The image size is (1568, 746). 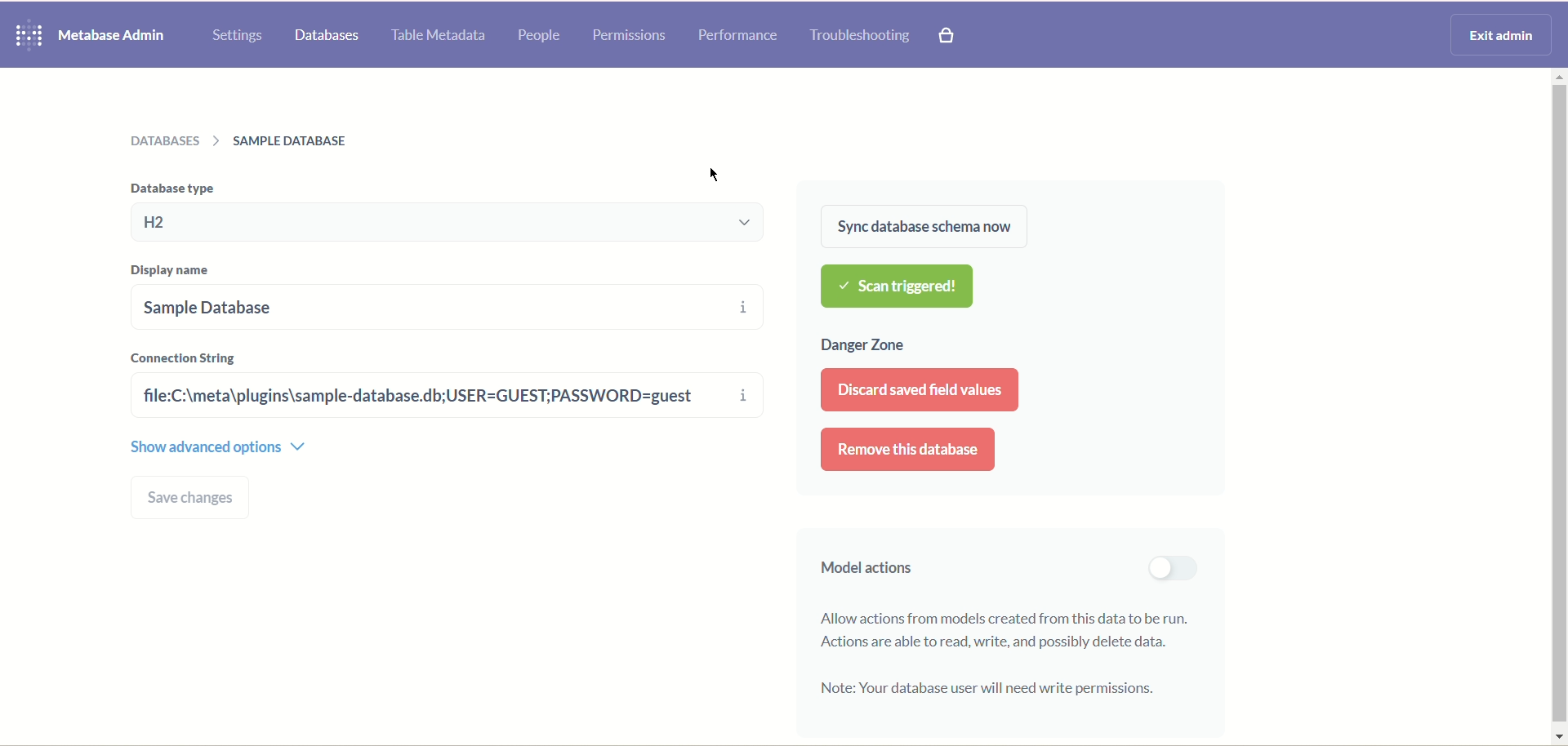 What do you see at coordinates (629, 33) in the screenshot?
I see `permissions` at bounding box center [629, 33].